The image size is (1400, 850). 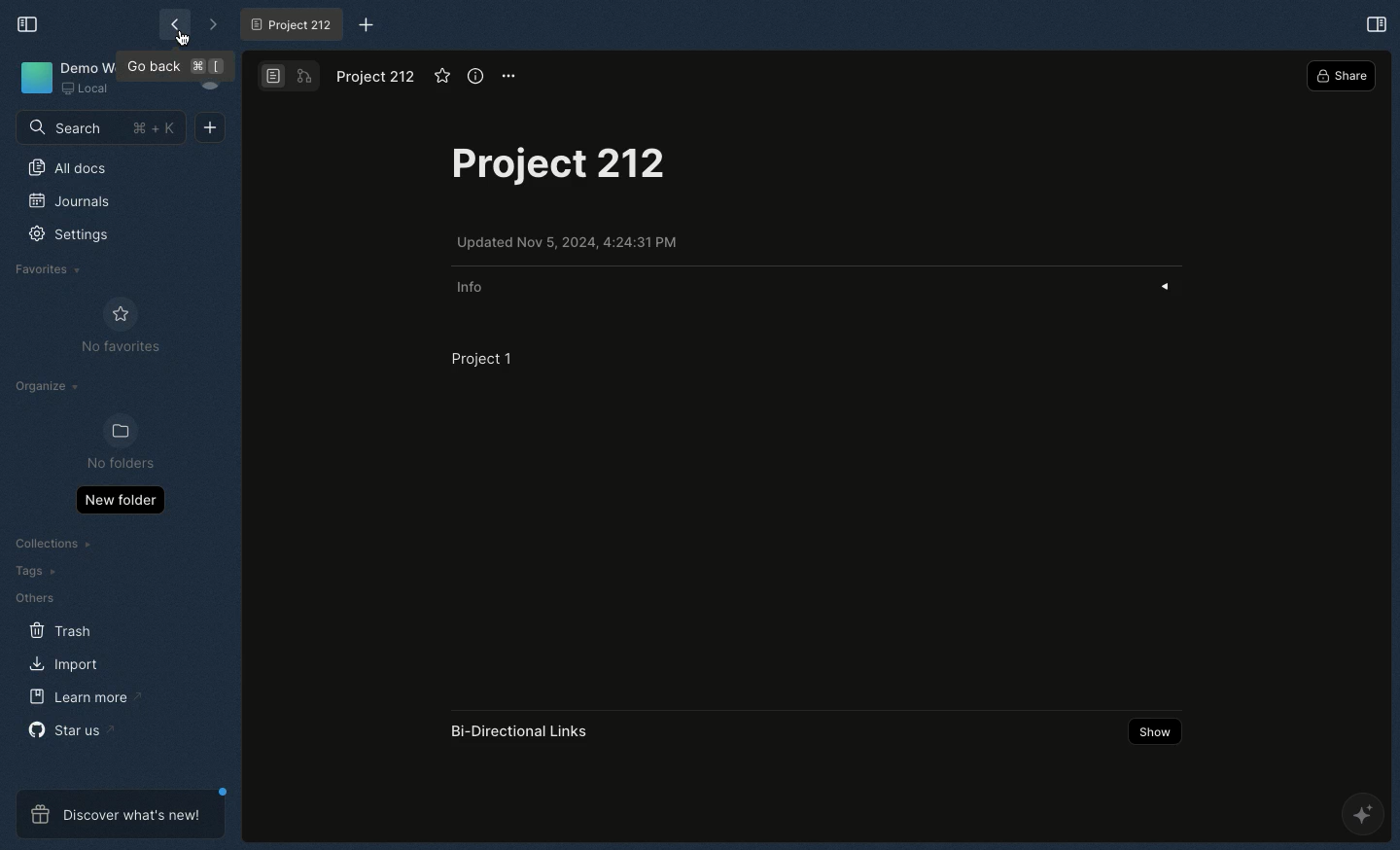 What do you see at coordinates (559, 172) in the screenshot?
I see `Project 212` at bounding box center [559, 172].